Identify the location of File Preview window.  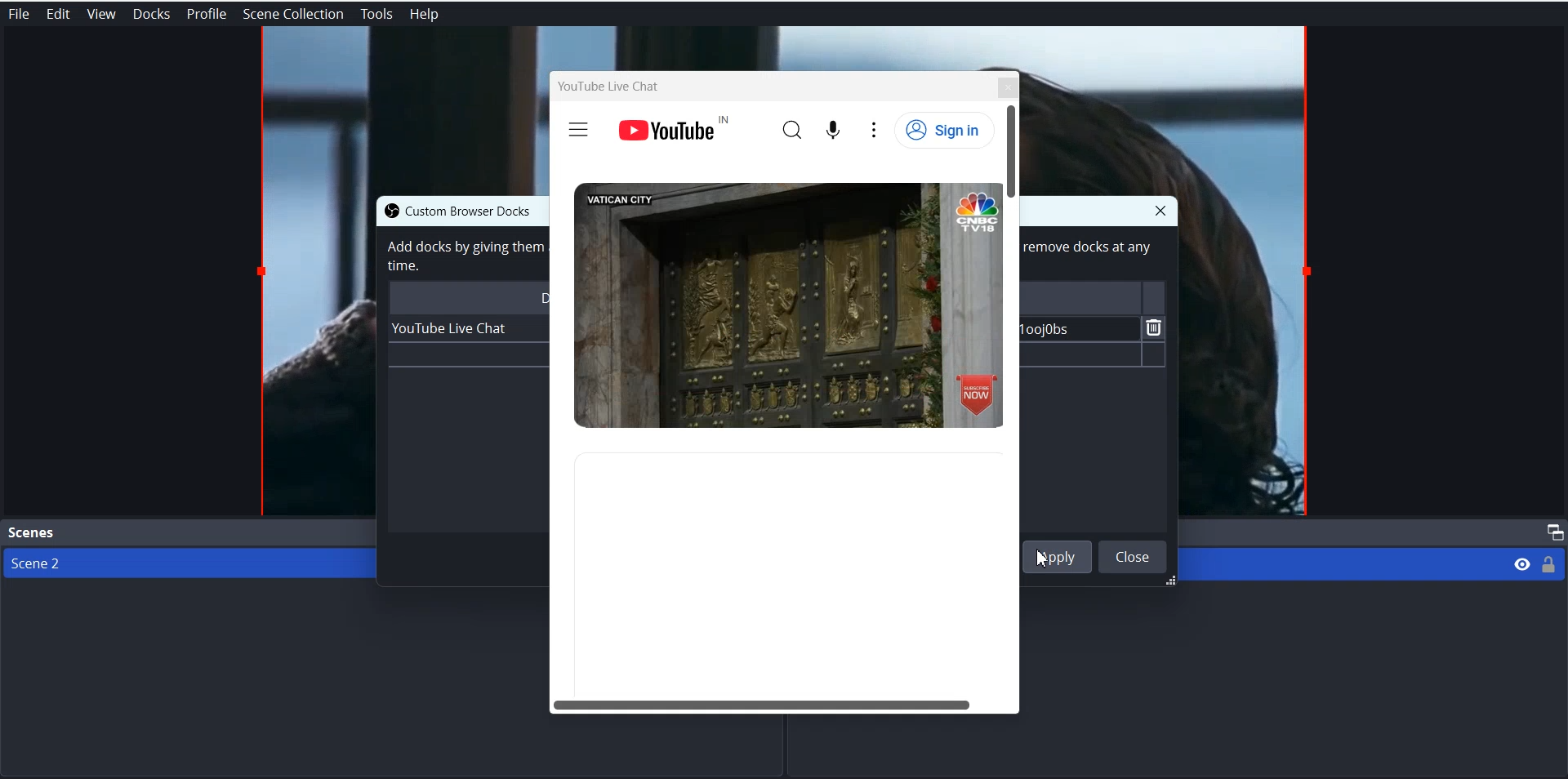
(402, 109).